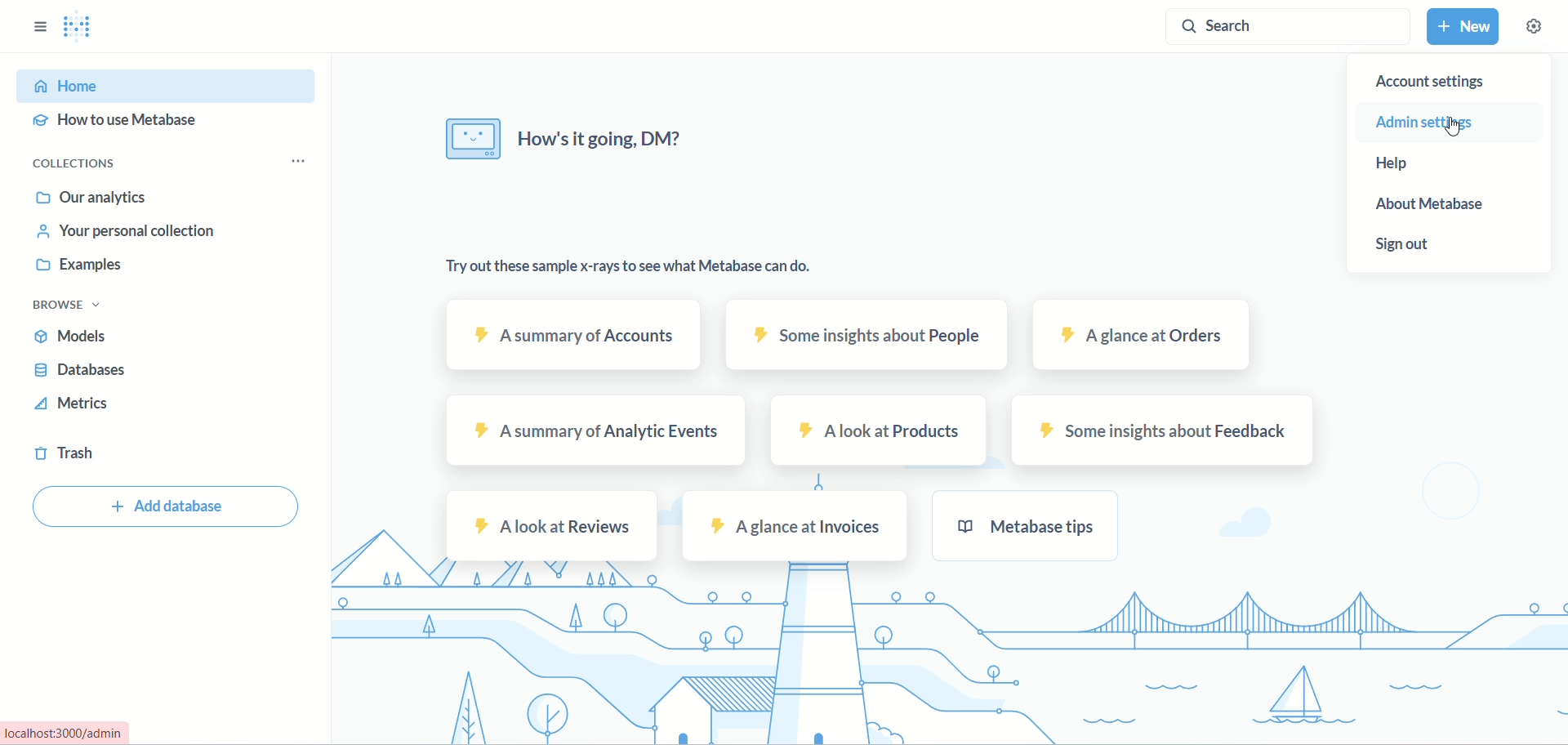 The image size is (1568, 745). I want to click on your personal collection, so click(130, 232).